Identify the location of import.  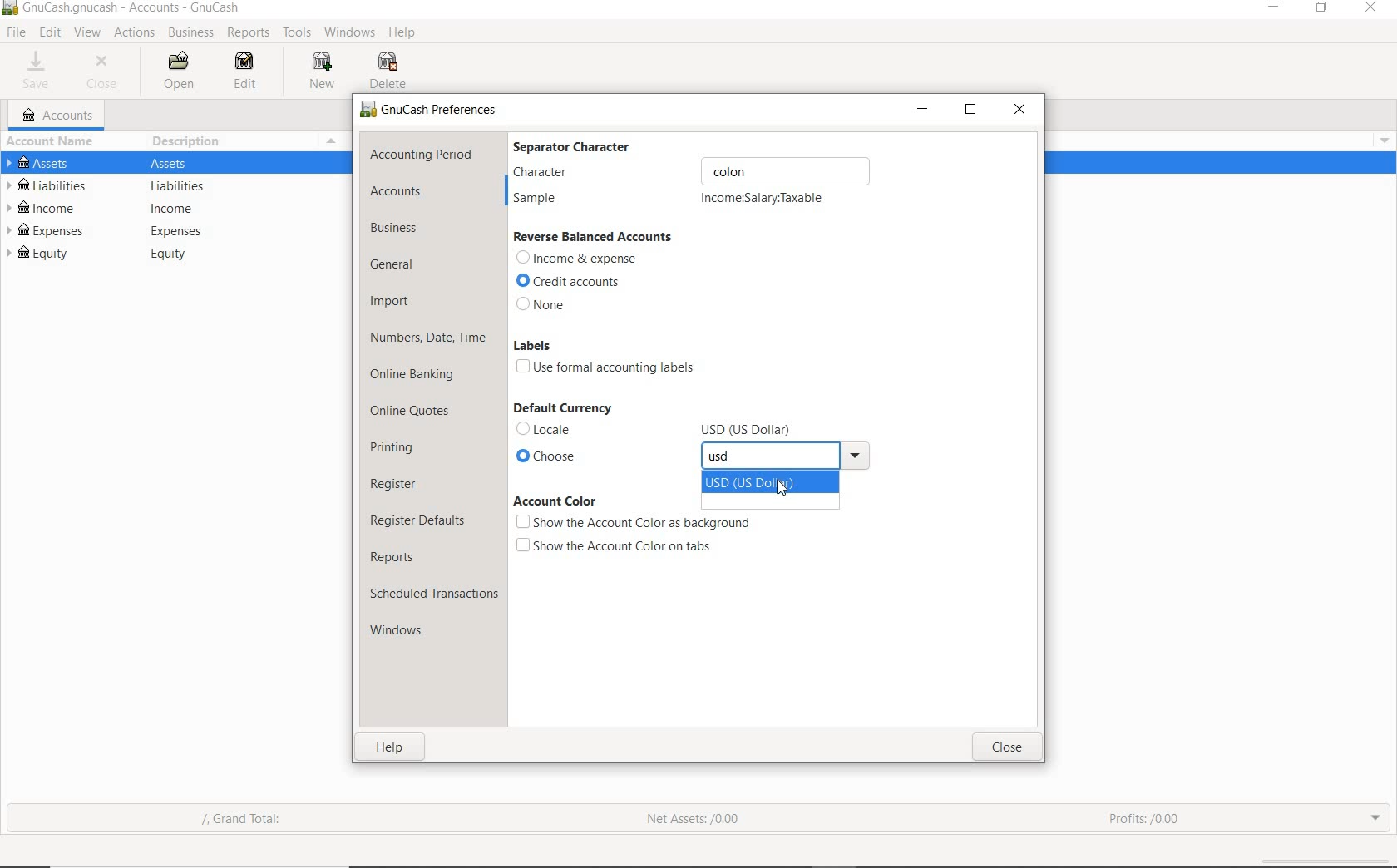
(391, 303).